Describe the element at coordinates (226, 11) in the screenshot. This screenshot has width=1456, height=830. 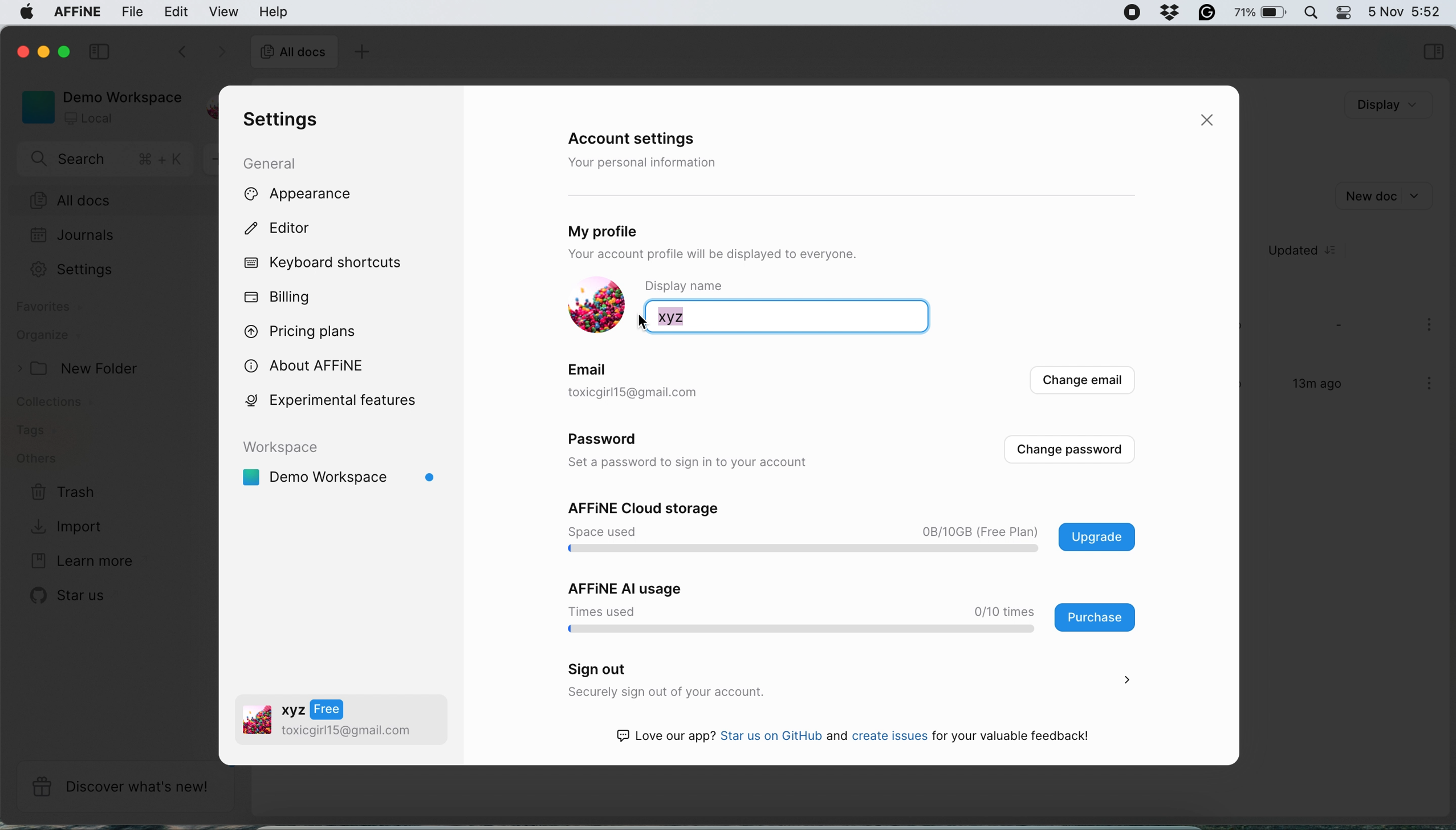
I see `view` at that location.